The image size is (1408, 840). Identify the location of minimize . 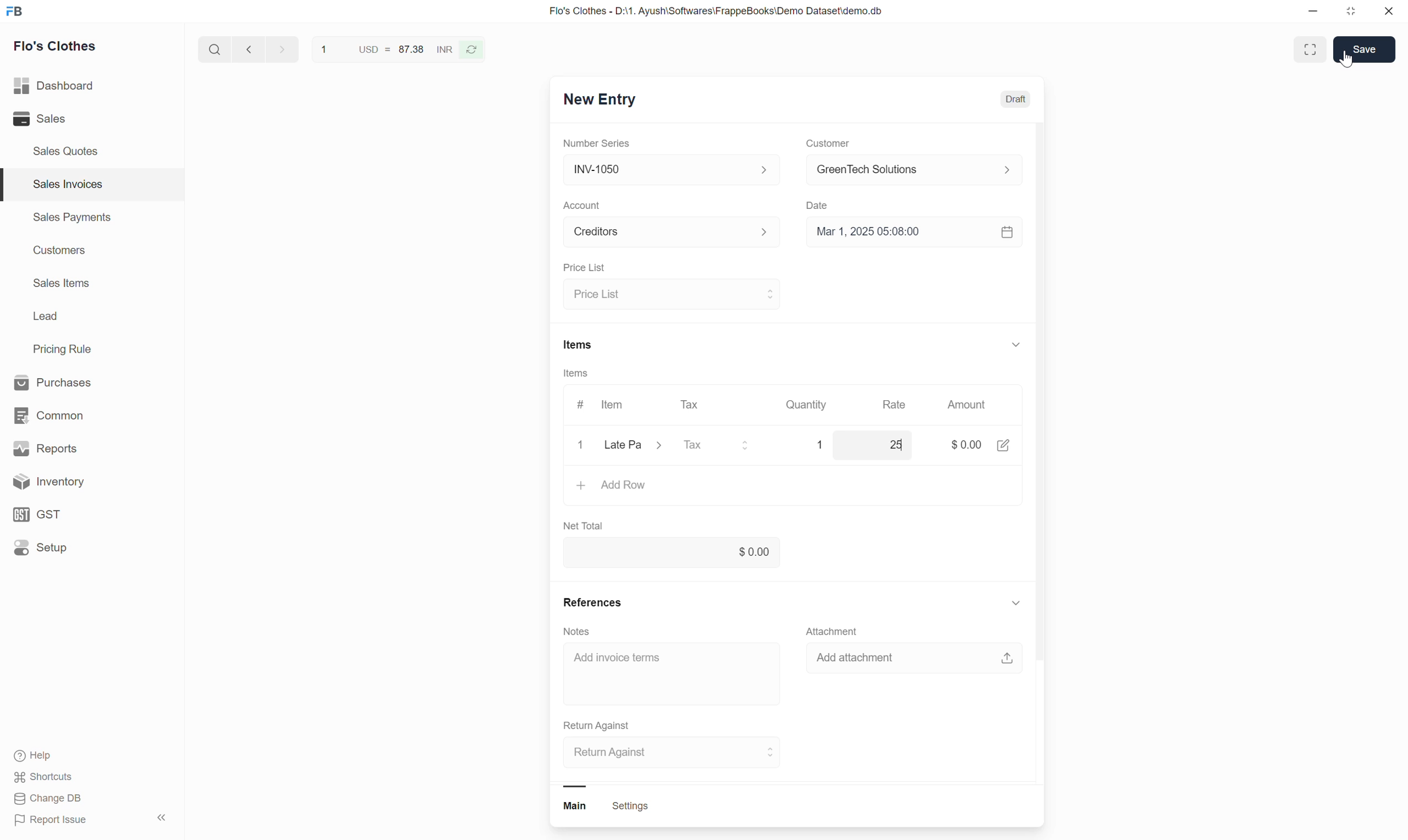
(1318, 12).